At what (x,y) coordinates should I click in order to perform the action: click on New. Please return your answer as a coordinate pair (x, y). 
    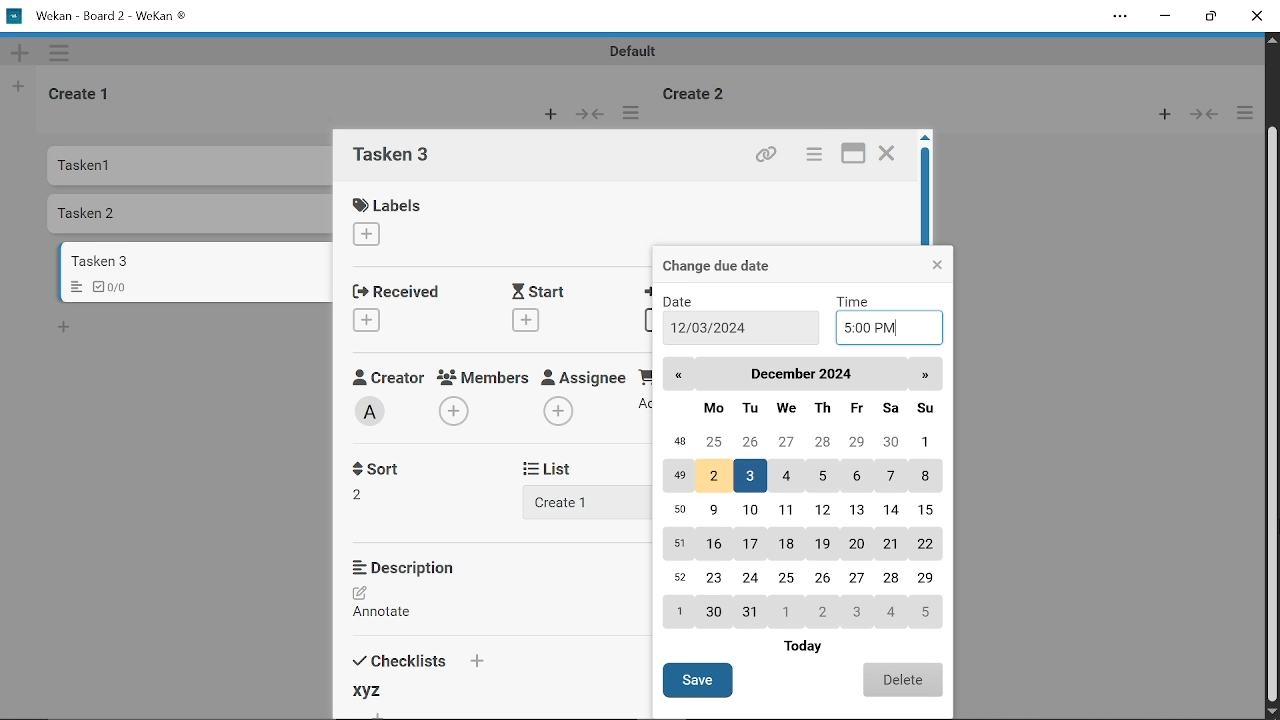
    Looking at the image, I should click on (19, 52).